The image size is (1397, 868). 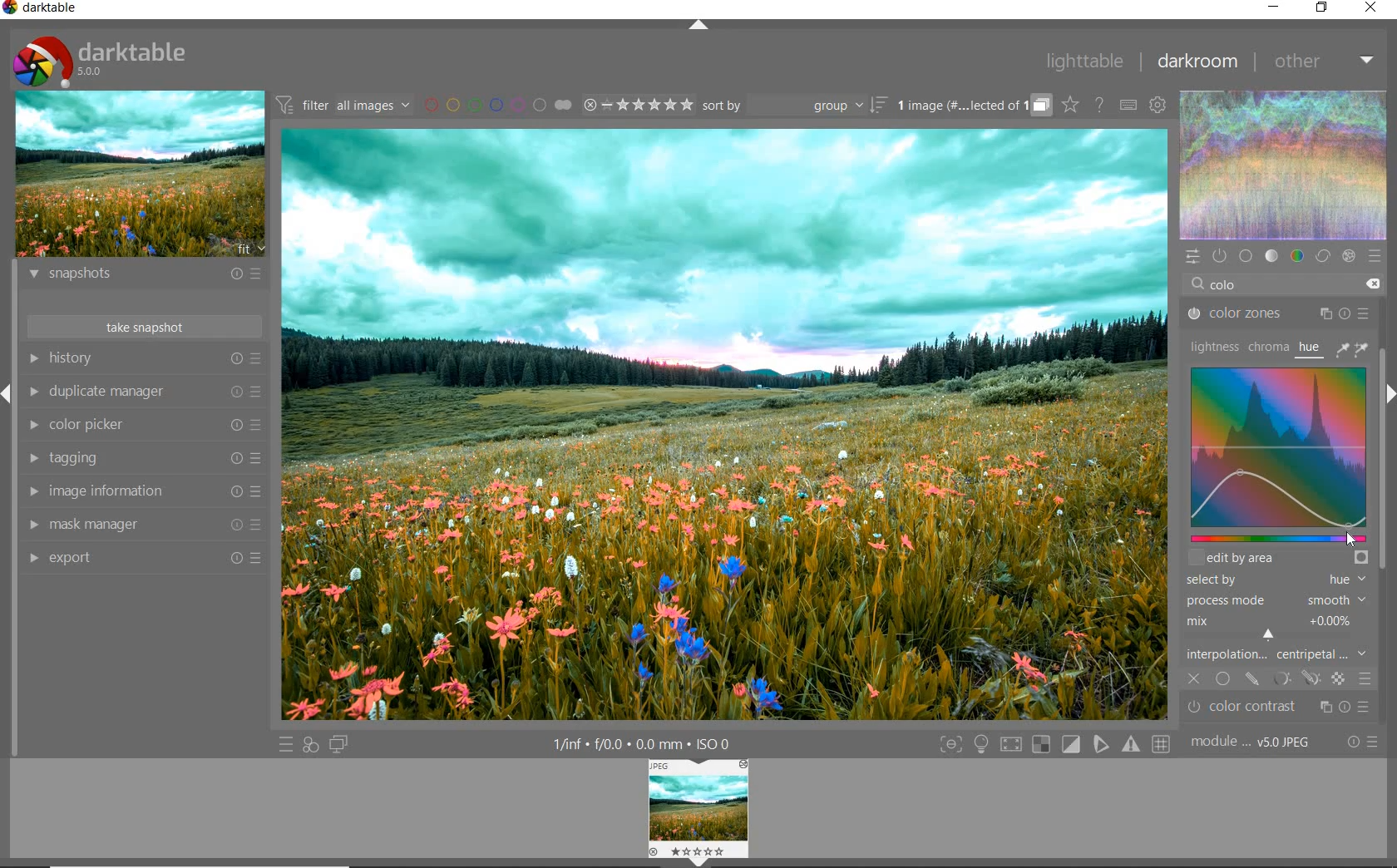 What do you see at coordinates (141, 492) in the screenshot?
I see `image information` at bounding box center [141, 492].